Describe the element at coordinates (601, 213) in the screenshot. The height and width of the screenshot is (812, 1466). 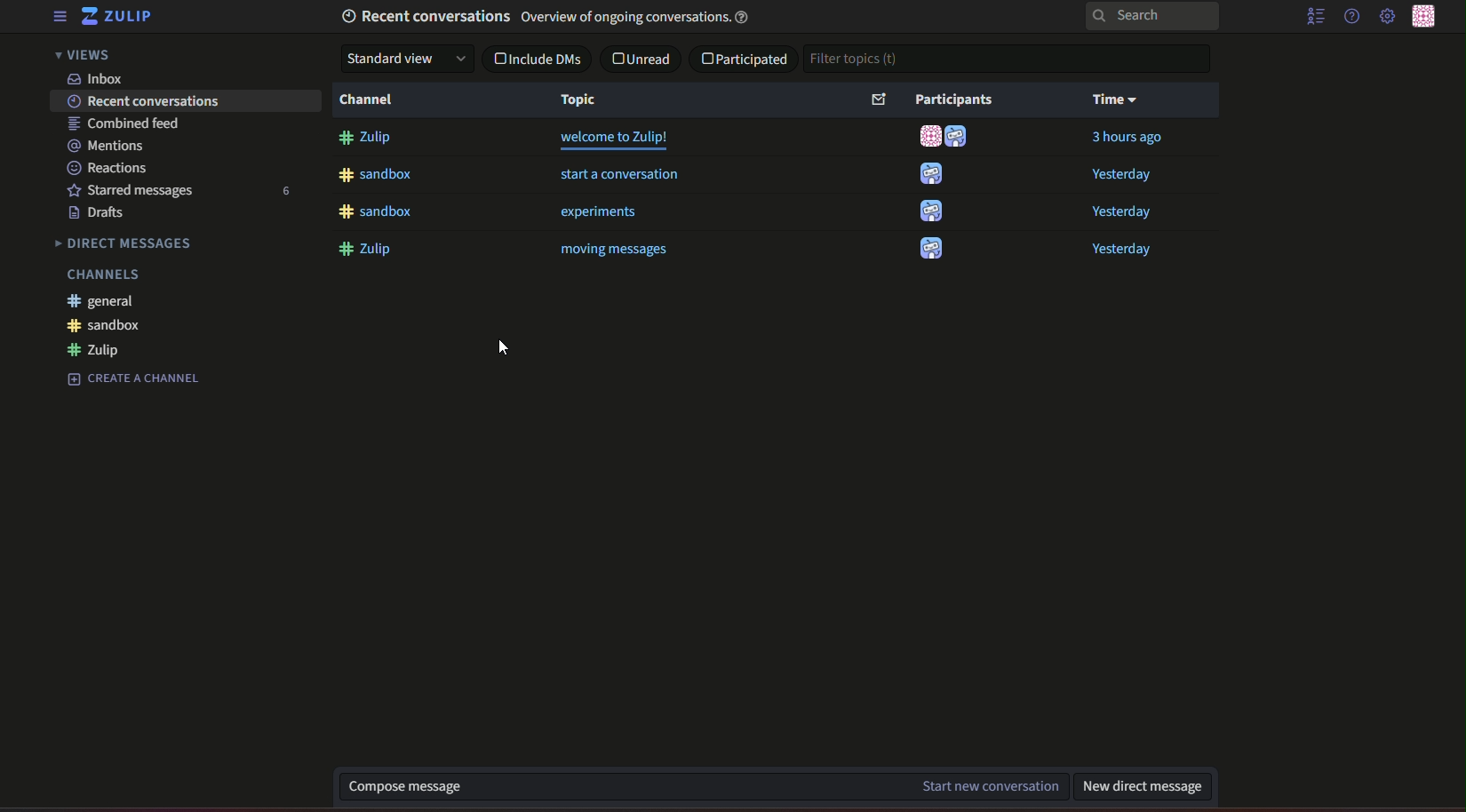
I see `experiments` at that location.